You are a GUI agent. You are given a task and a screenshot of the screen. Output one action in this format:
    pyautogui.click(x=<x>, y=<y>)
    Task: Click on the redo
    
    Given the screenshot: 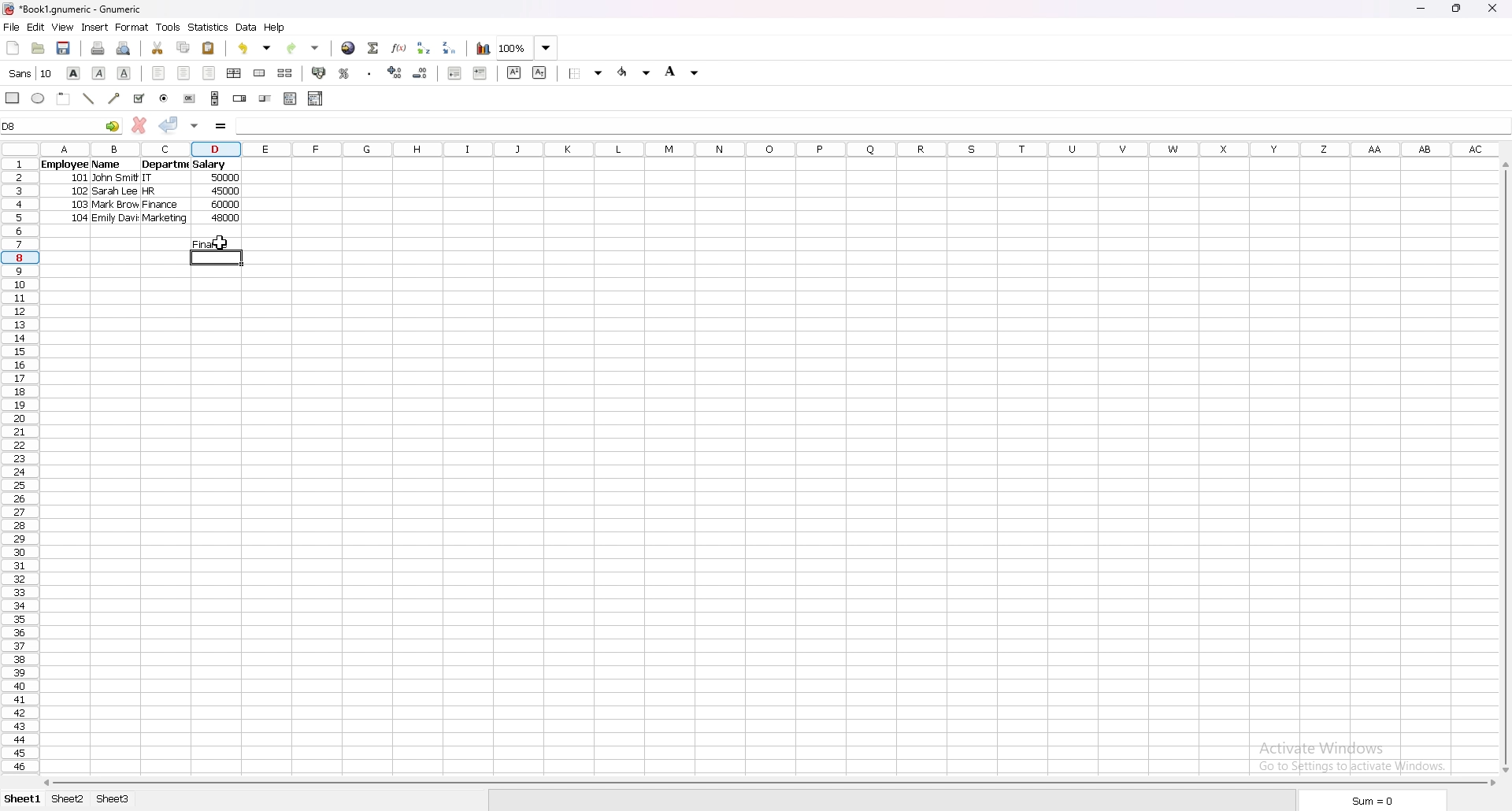 What is the action you would take?
    pyautogui.click(x=303, y=49)
    